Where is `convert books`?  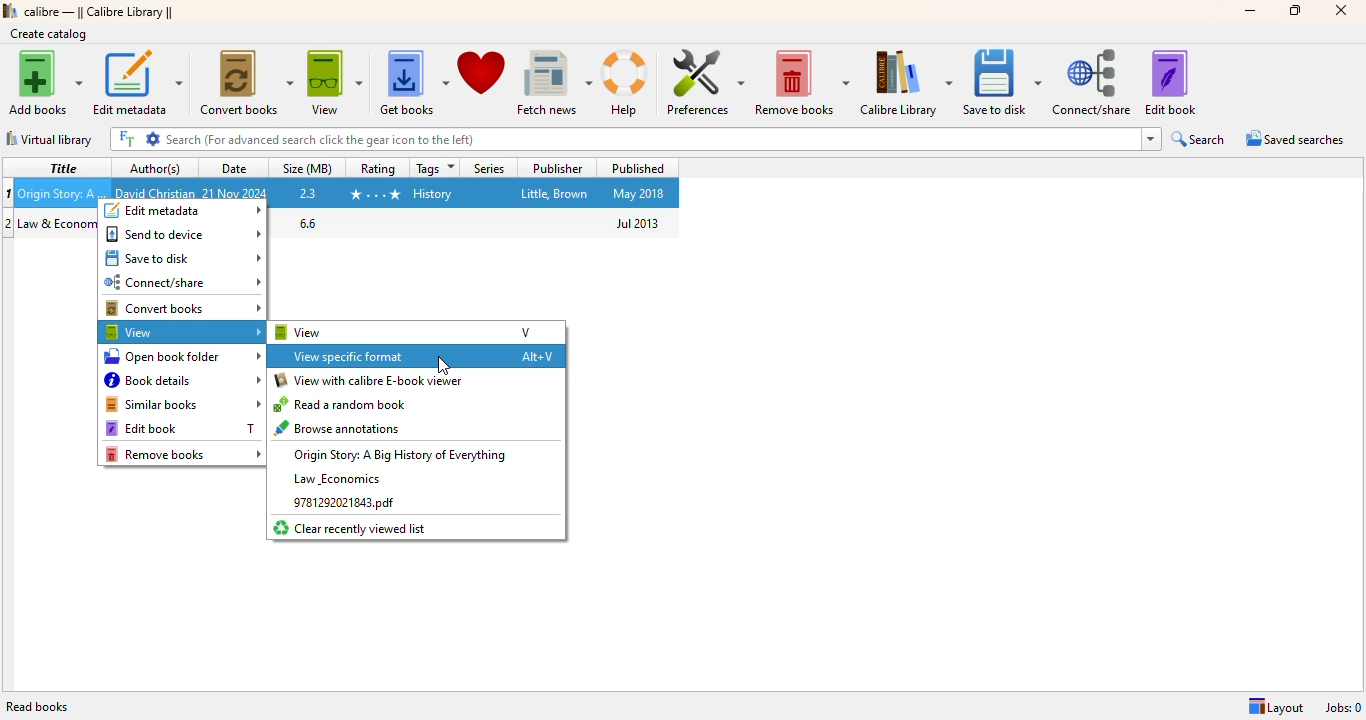 convert books is located at coordinates (182, 308).